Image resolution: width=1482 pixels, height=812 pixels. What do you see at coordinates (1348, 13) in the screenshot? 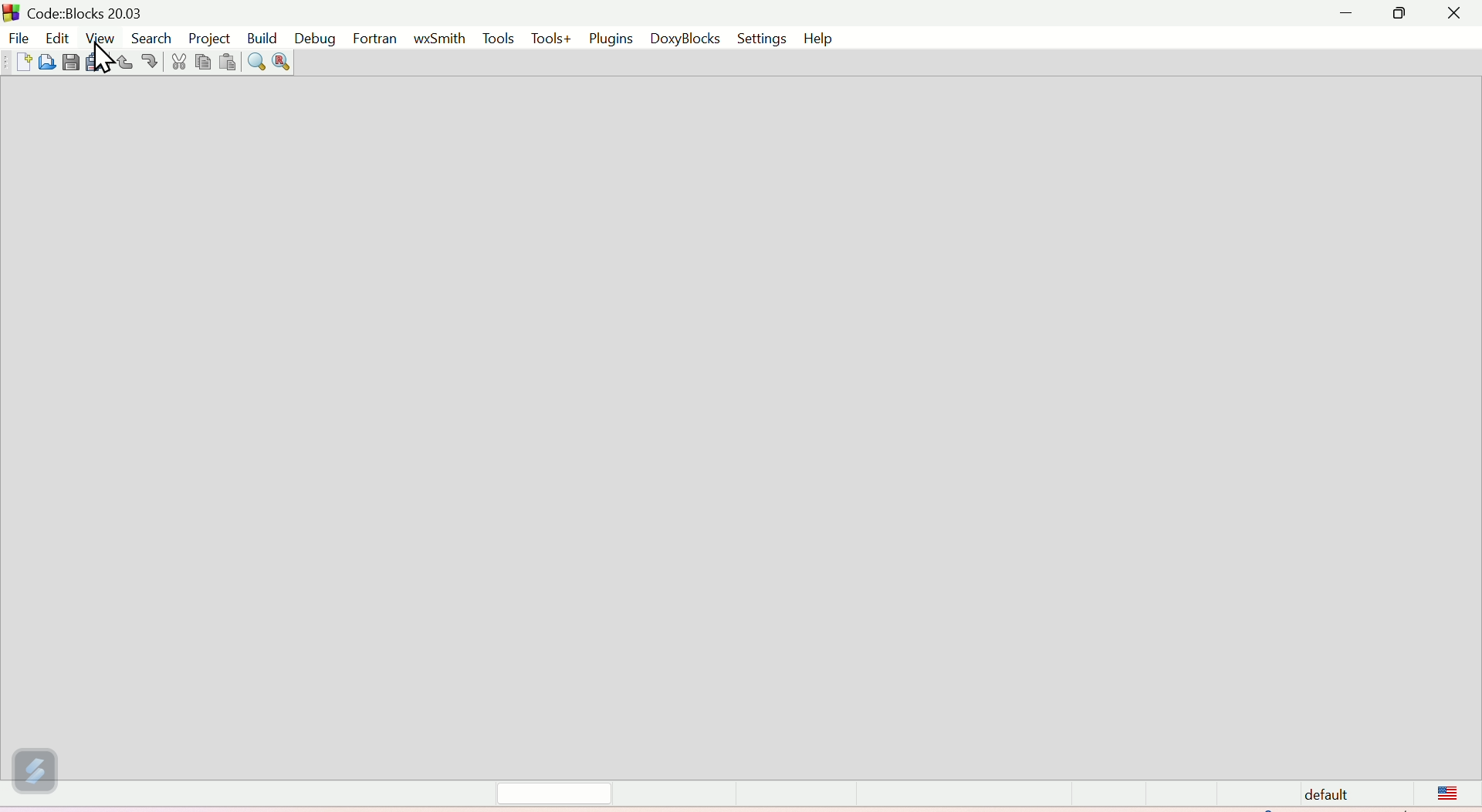
I see `minimise` at bounding box center [1348, 13].